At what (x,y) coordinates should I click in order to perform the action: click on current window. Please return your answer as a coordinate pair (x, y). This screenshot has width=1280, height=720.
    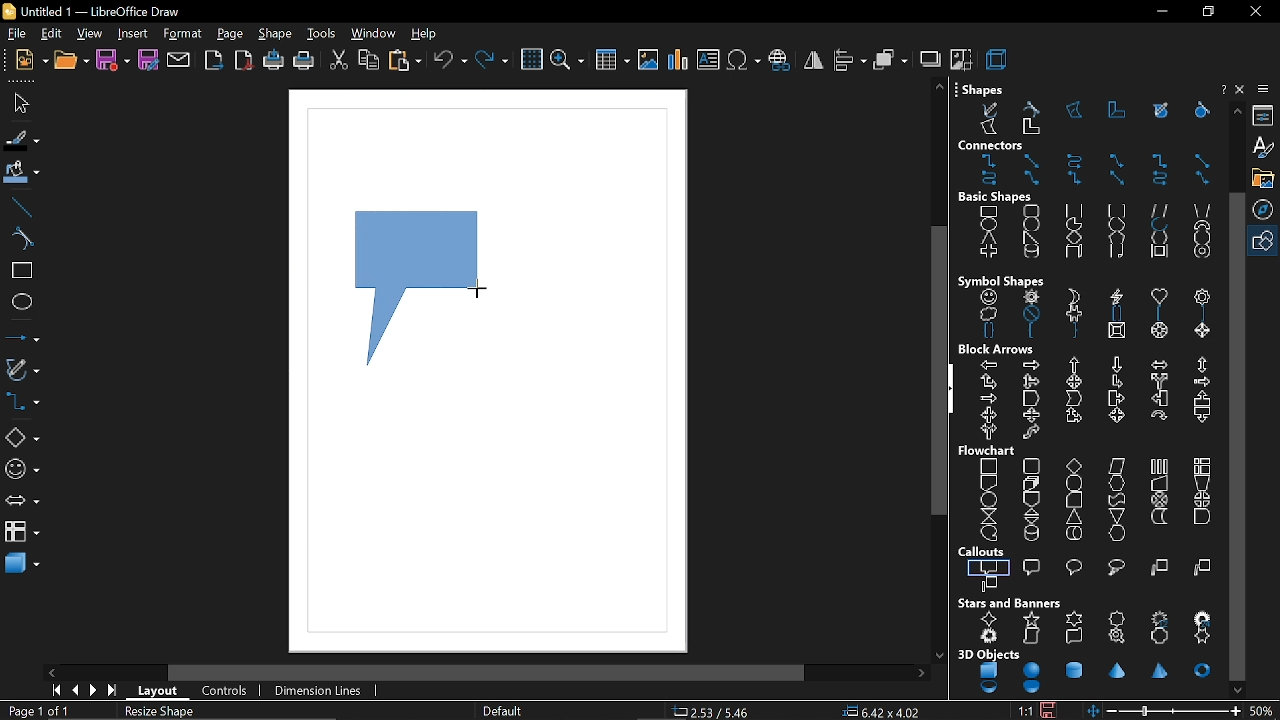
    Looking at the image, I should click on (102, 10).